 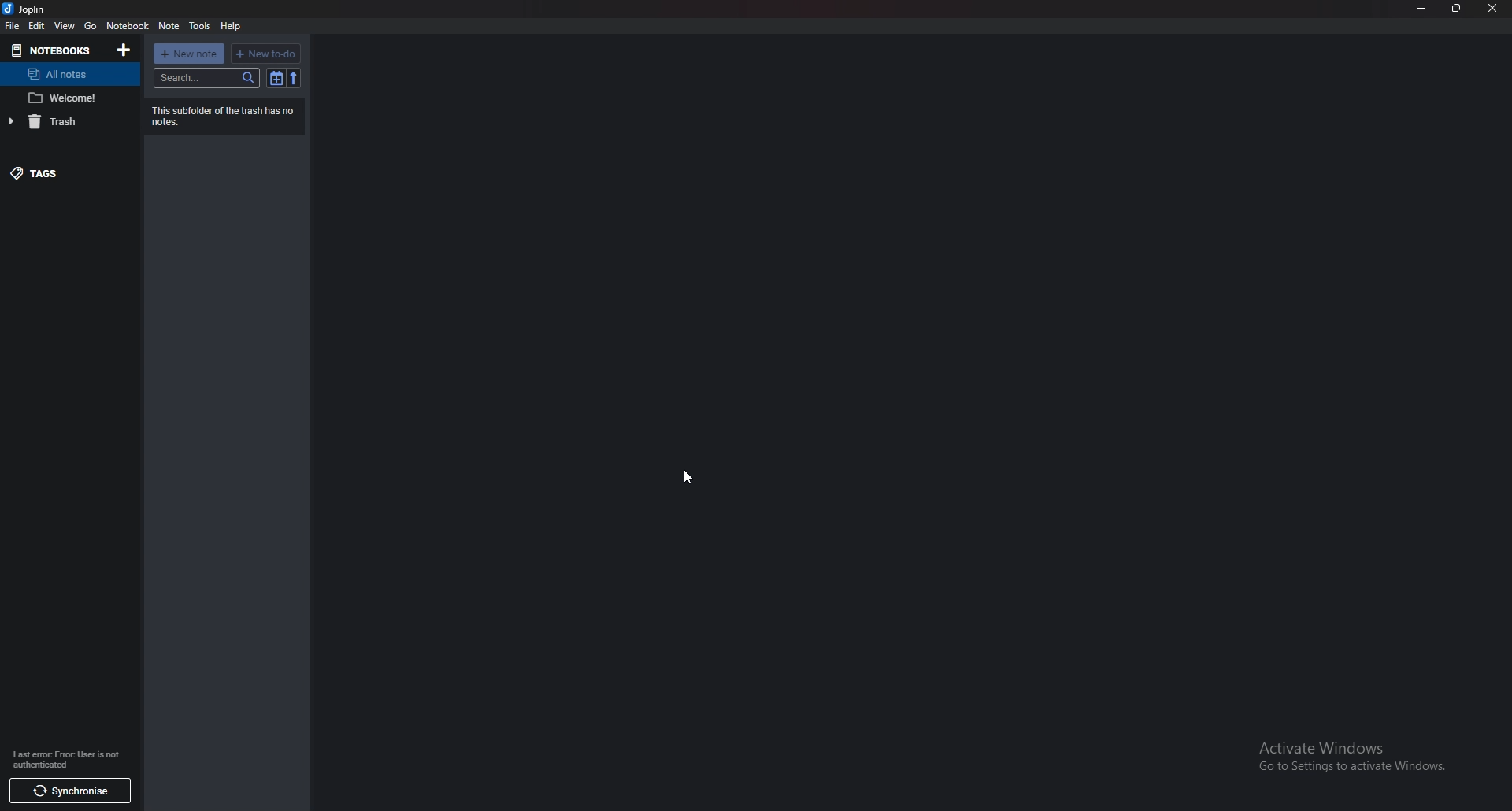 I want to click on info, so click(x=224, y=116).